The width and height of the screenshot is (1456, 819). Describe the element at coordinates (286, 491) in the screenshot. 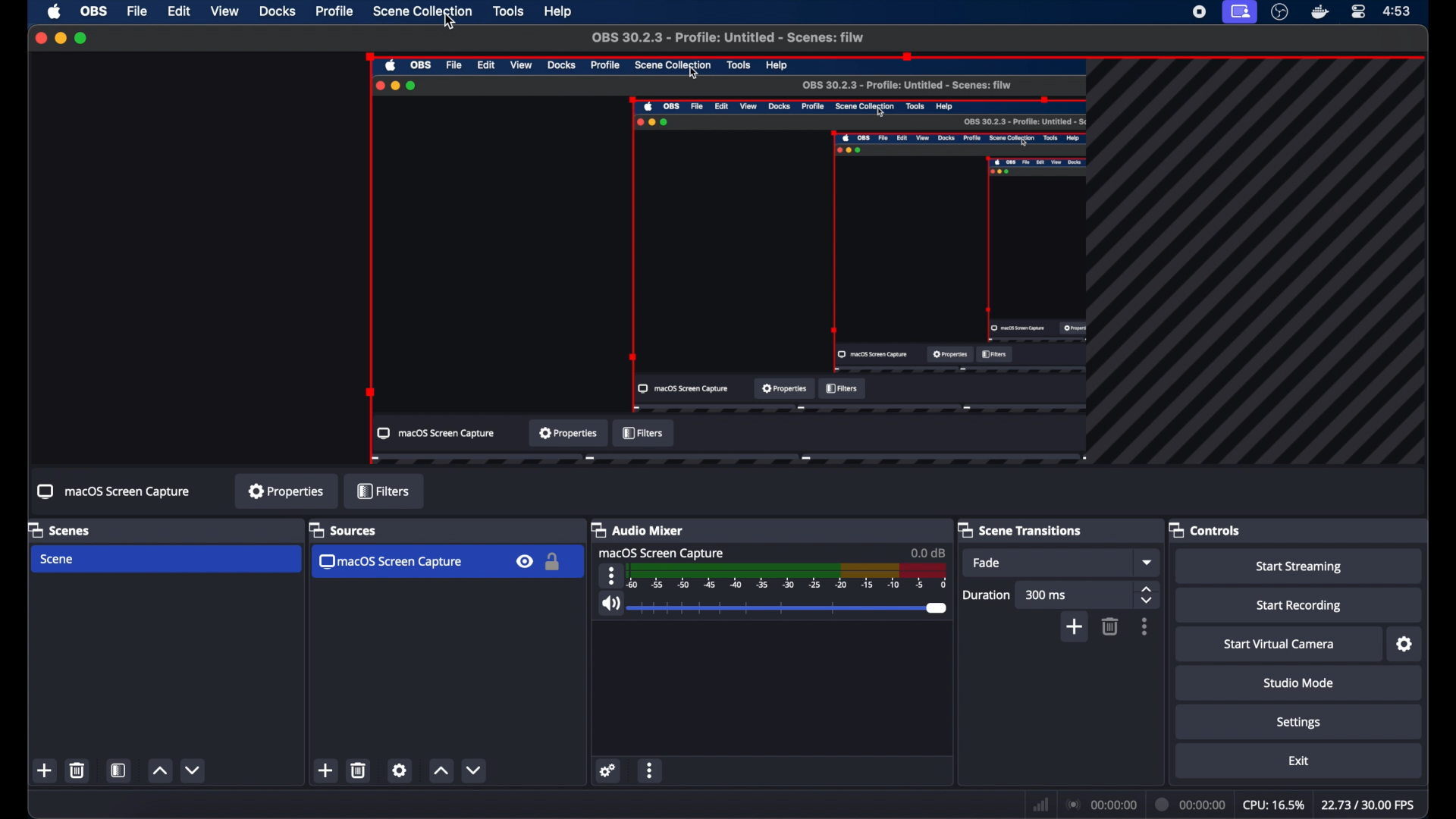

I see `properties` at that location.